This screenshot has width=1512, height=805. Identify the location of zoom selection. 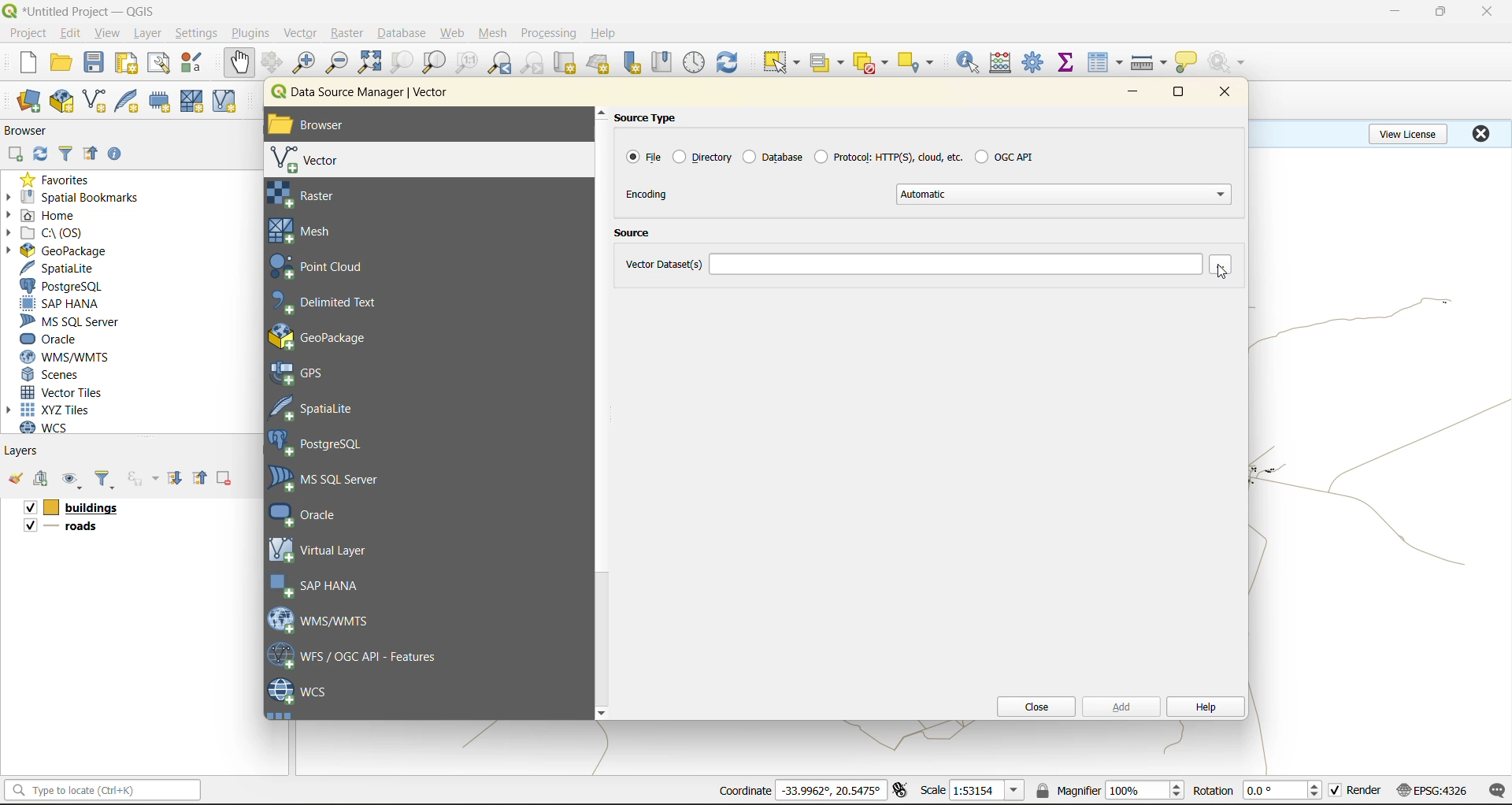
(400, 64).